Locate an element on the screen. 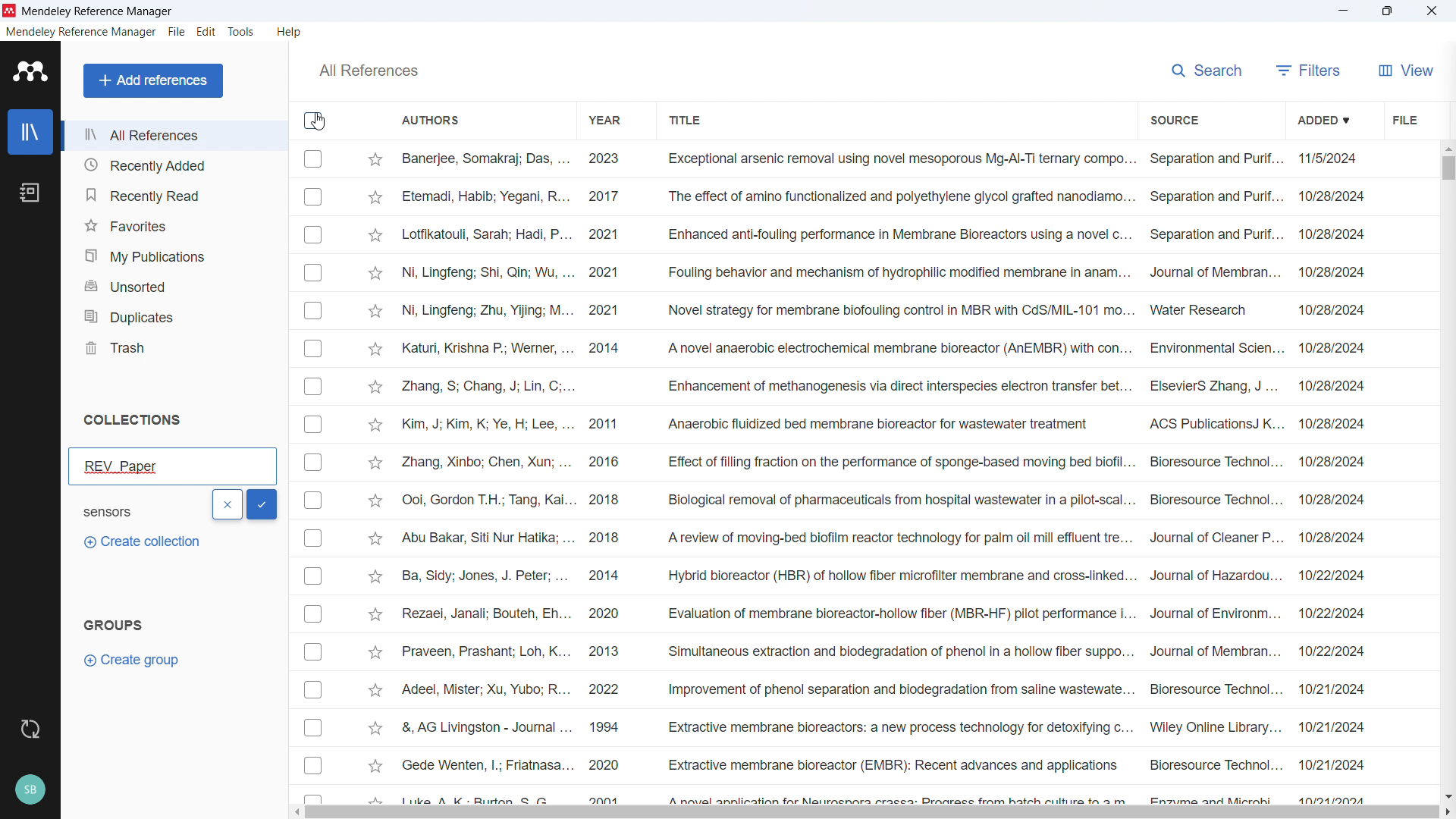  Select all entries  is located at coordinates (314, 121).